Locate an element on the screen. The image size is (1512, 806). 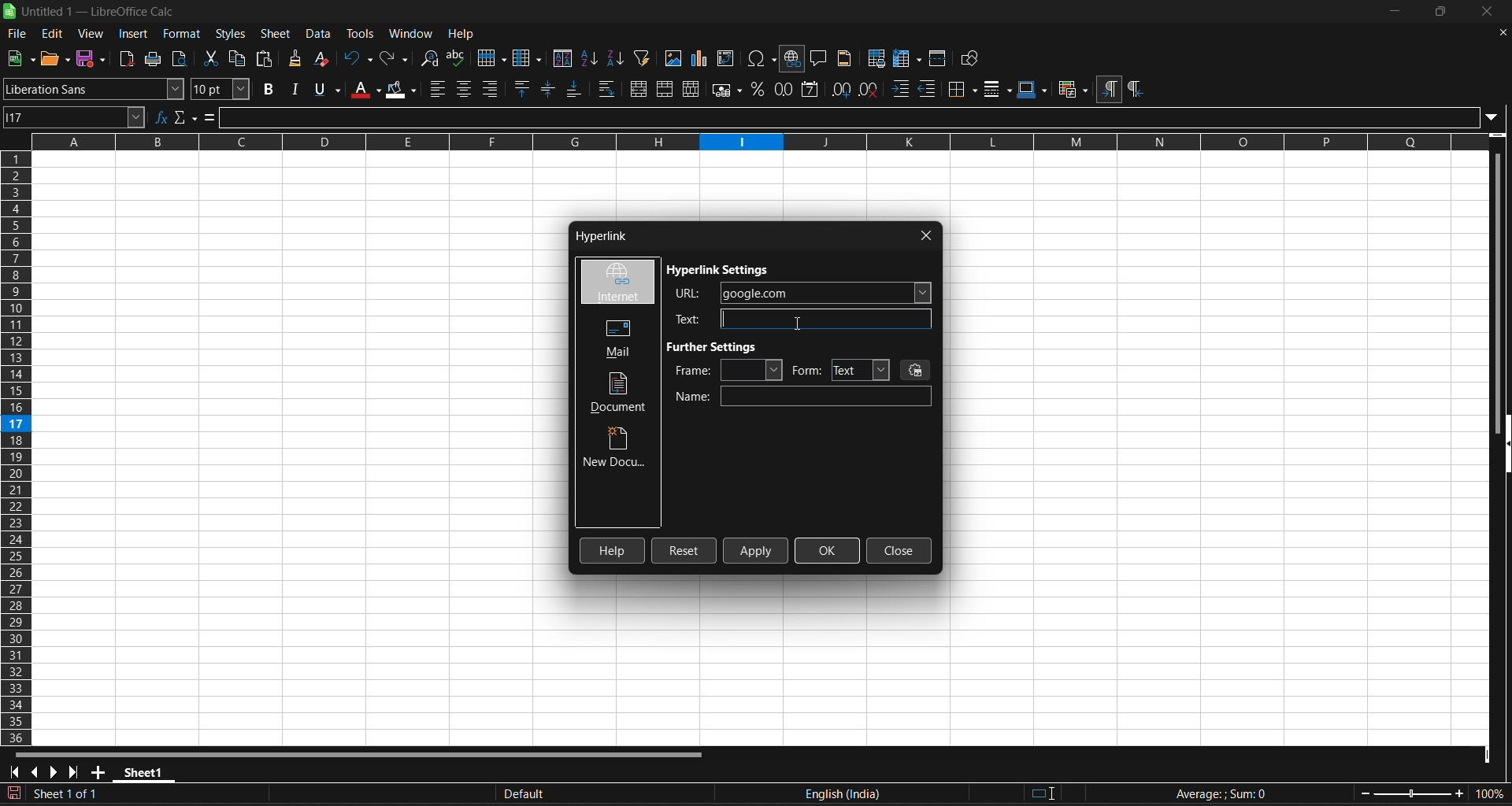
sort descending is located at coordinates (617, 57).